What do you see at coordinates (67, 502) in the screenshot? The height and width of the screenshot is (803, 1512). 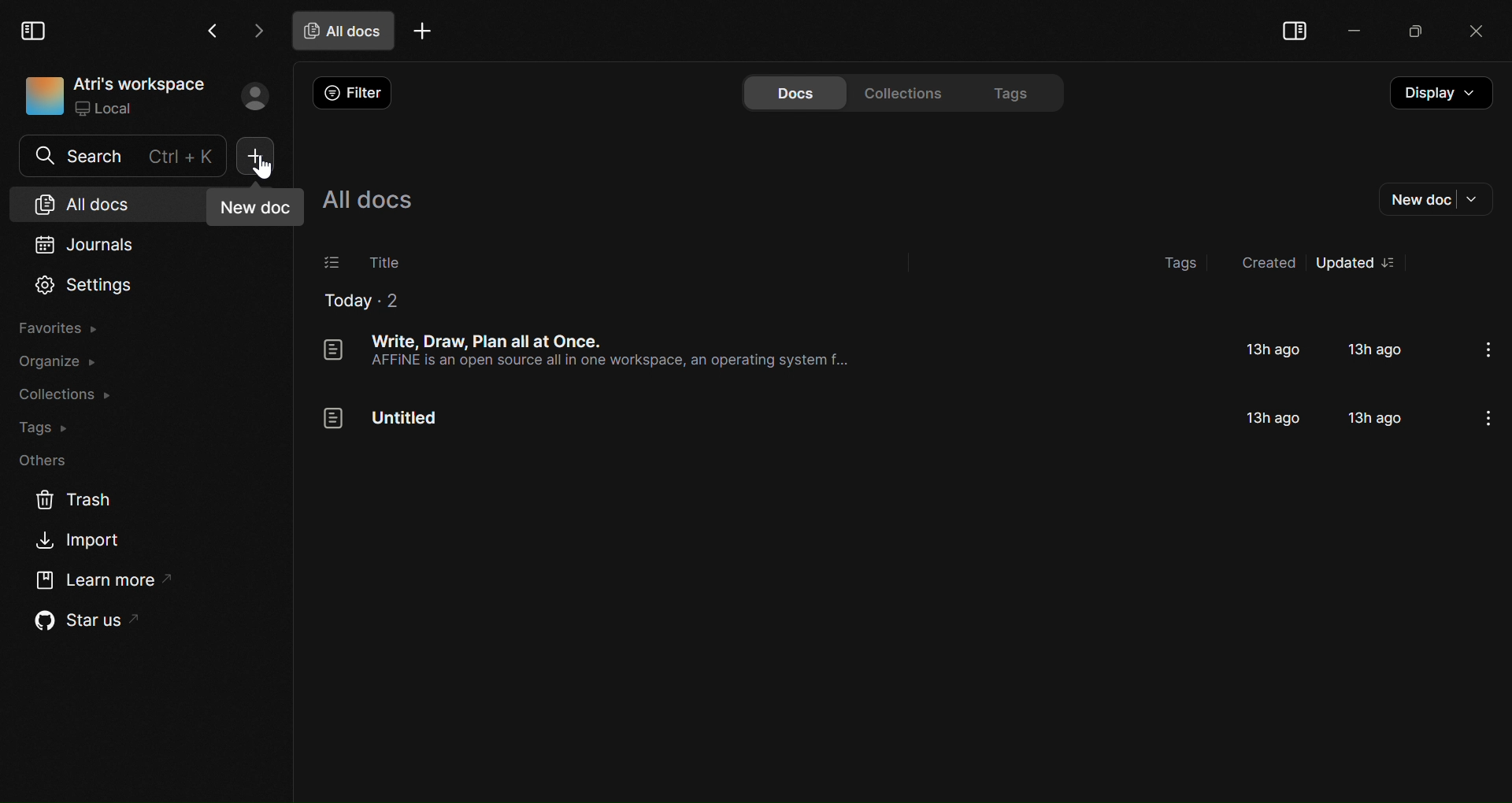 I see `Trash` at bounding box center [67, 502].